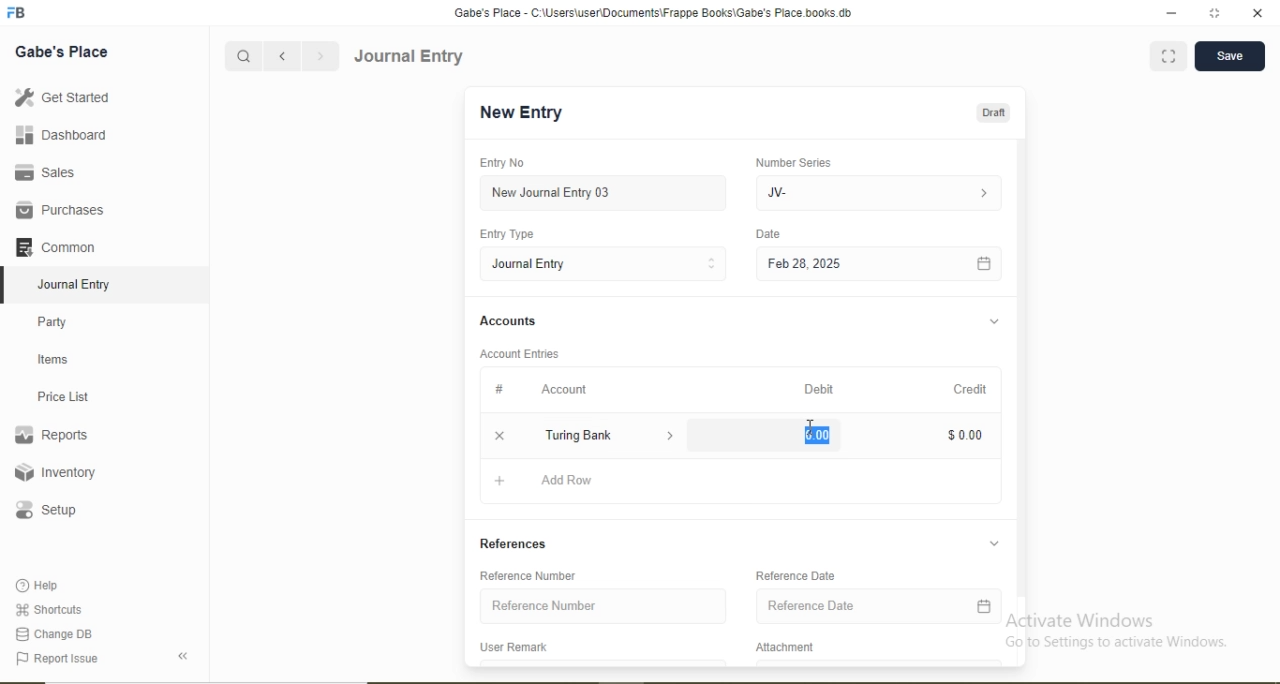  What do you see at coordinates (984, 606) in the screenshot?
I see `Calendar` at bounding box center [984, 606].